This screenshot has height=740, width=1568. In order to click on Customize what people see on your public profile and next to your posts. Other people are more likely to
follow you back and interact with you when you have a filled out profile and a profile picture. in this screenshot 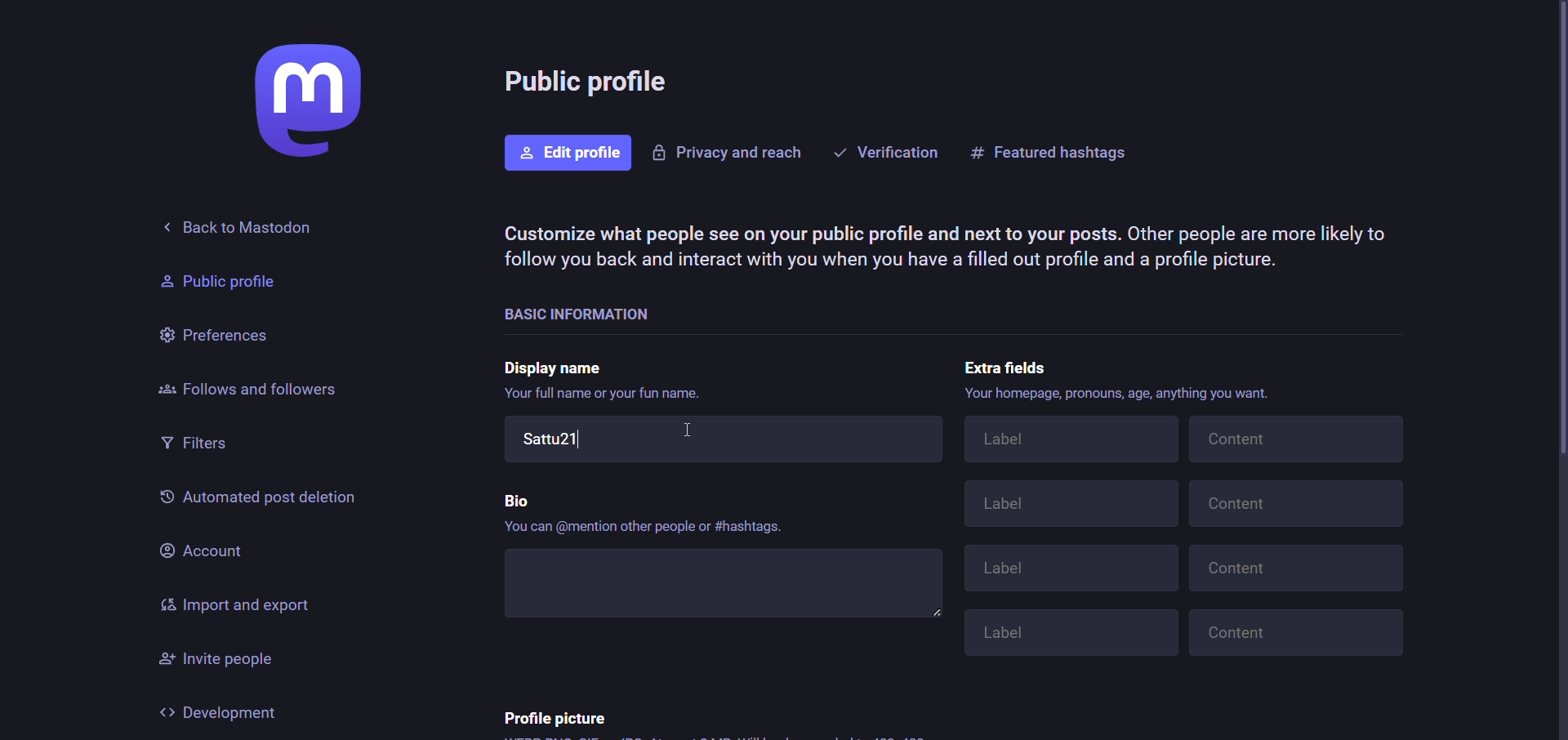, I will do `click(945, 247)`.